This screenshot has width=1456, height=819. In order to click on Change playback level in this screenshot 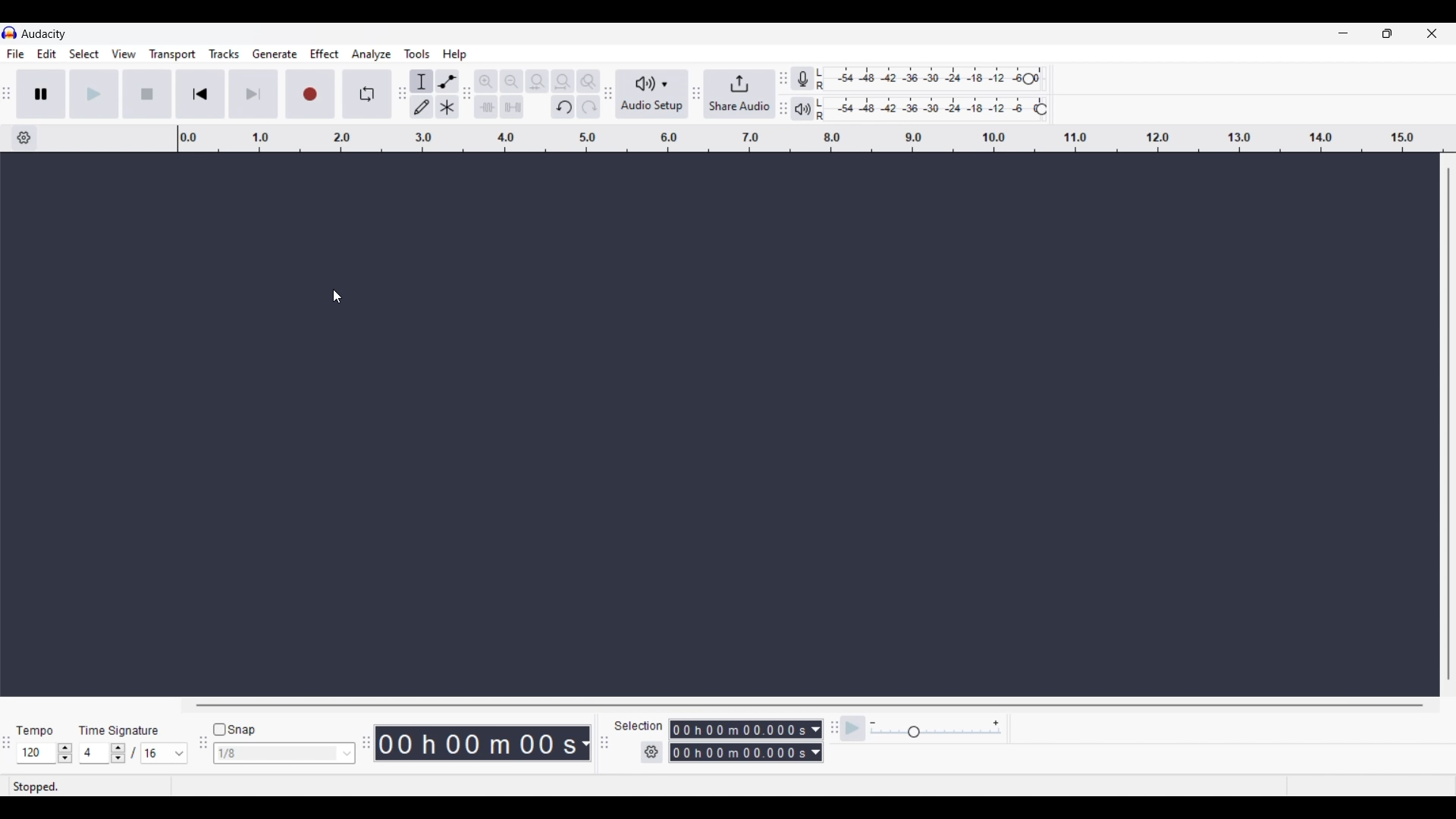, I will do `click(1041, 110)`.